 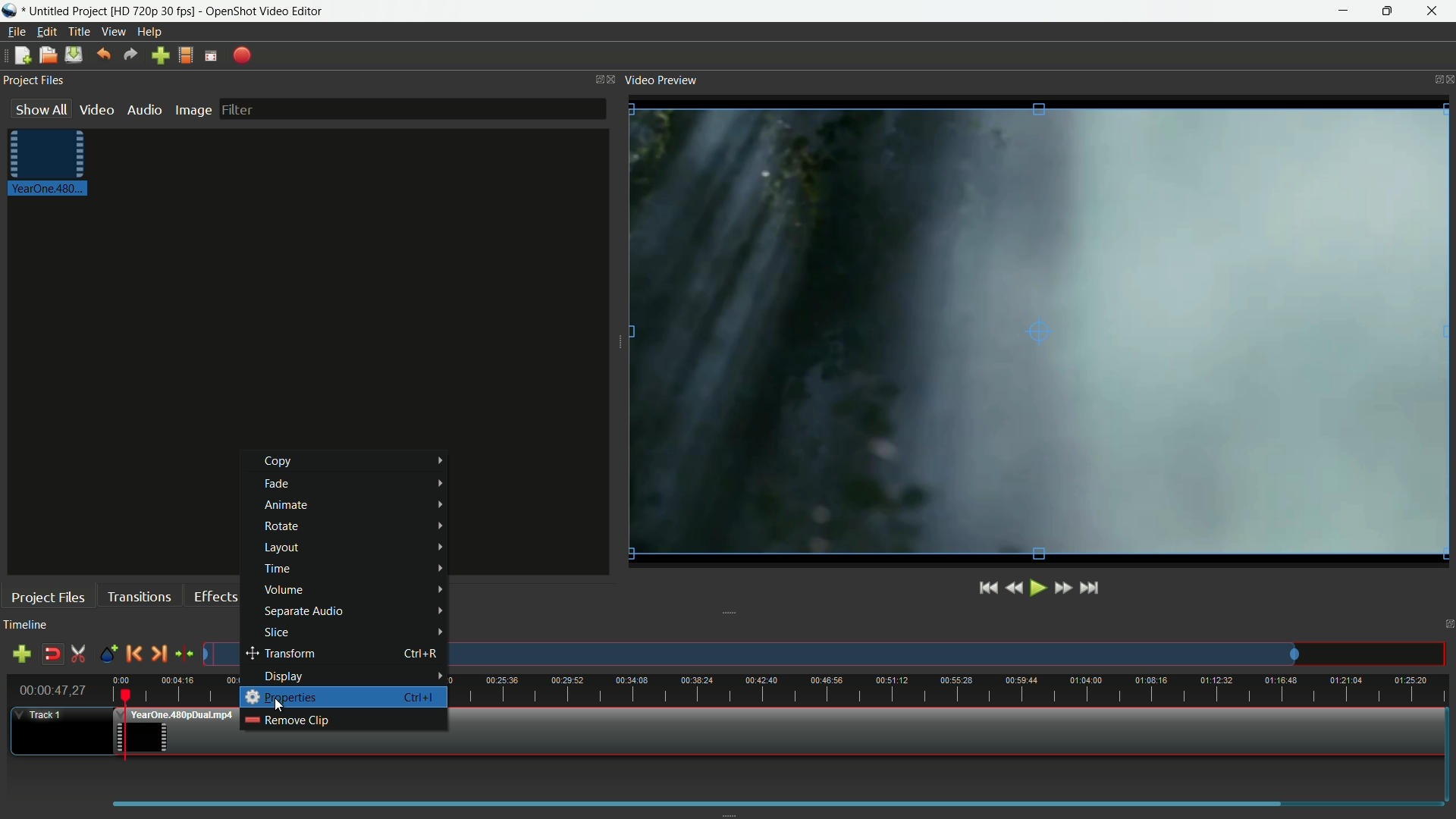 I want to click on fade, so click(x=356, y=485).